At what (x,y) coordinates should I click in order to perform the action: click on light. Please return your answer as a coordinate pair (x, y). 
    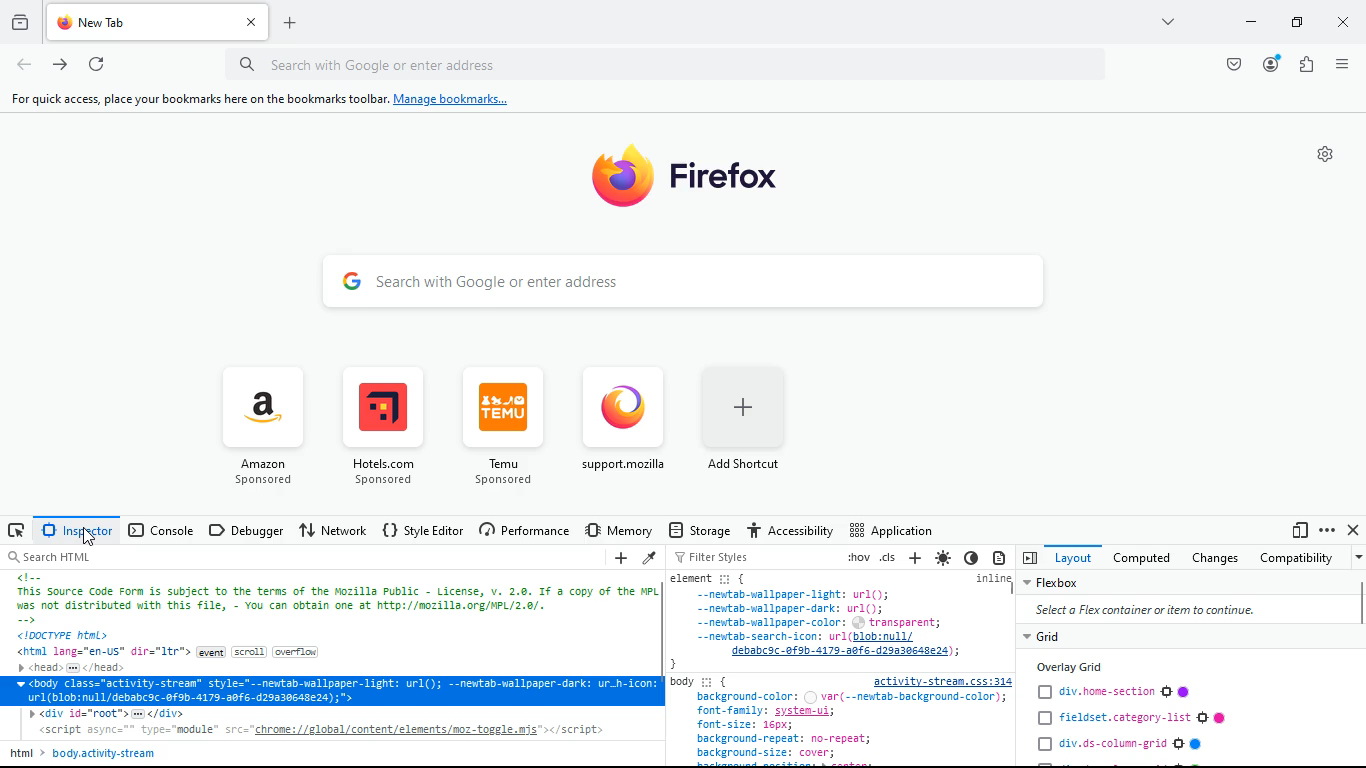
    Looking at the image, I should click on (946, 558).